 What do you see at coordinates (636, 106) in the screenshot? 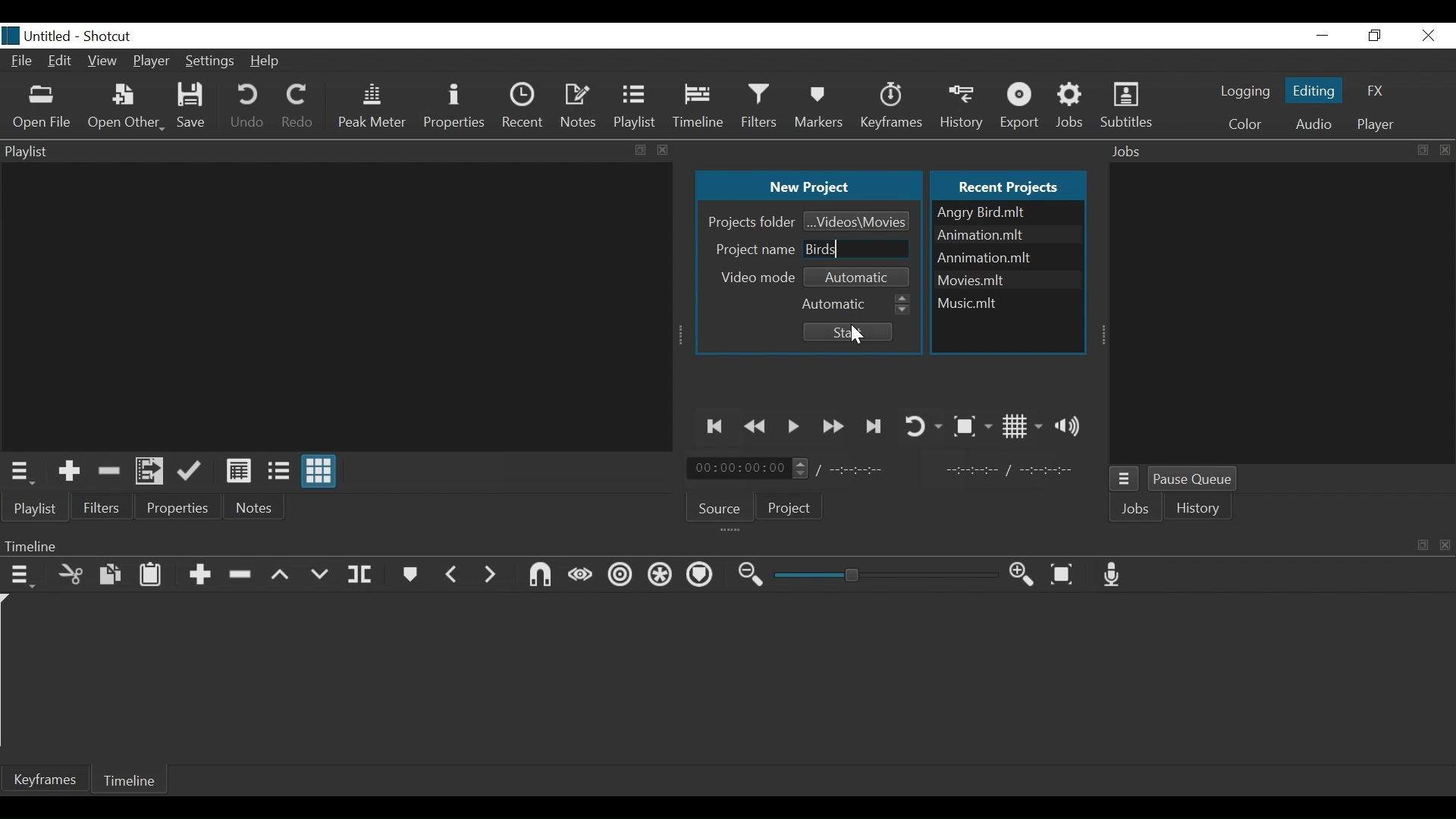
I see `Playlist` at bounding box center [636, 106].